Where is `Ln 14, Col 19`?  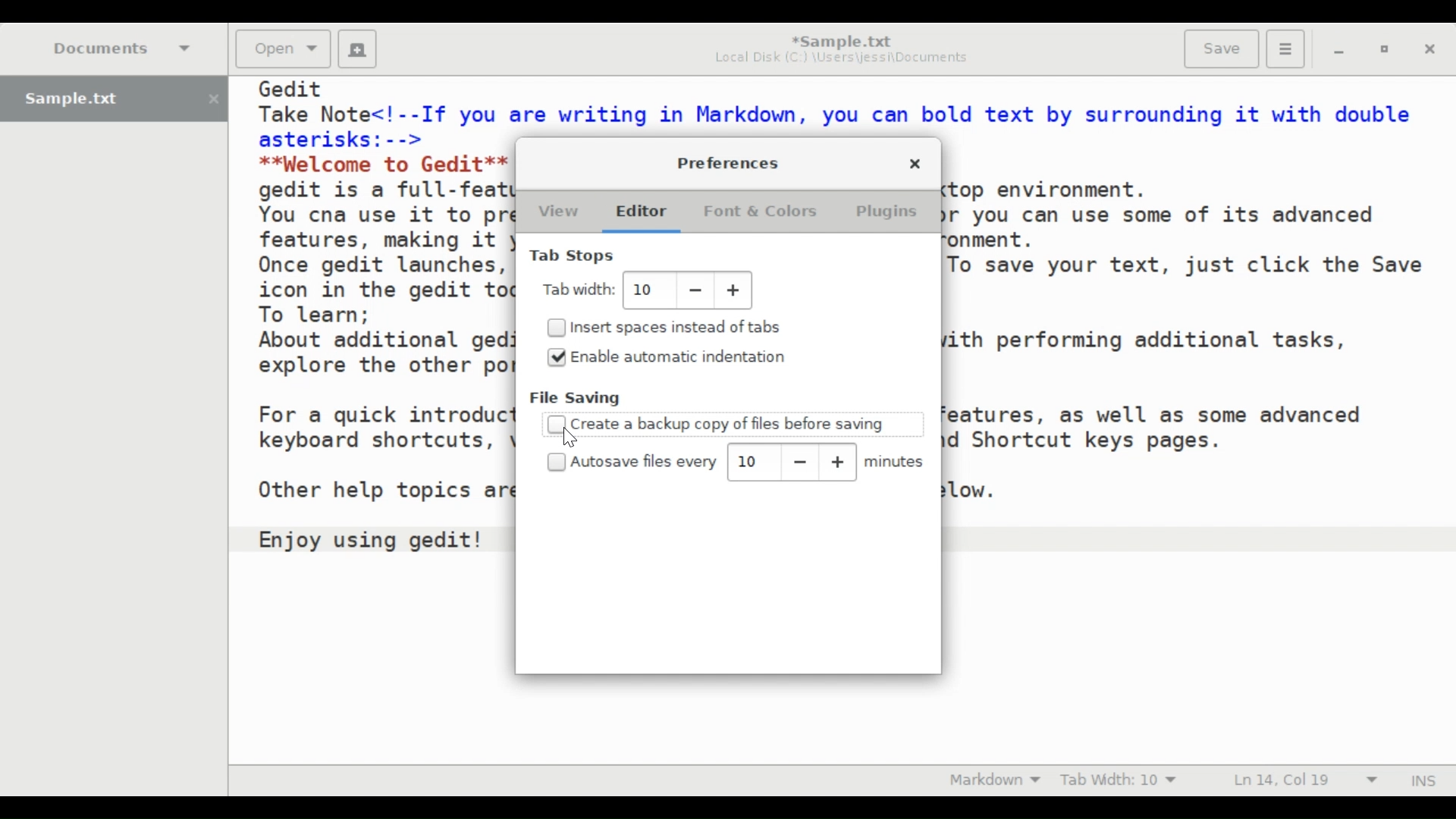
Ln 14, Col 19 is located at coordinates (1303, 780).